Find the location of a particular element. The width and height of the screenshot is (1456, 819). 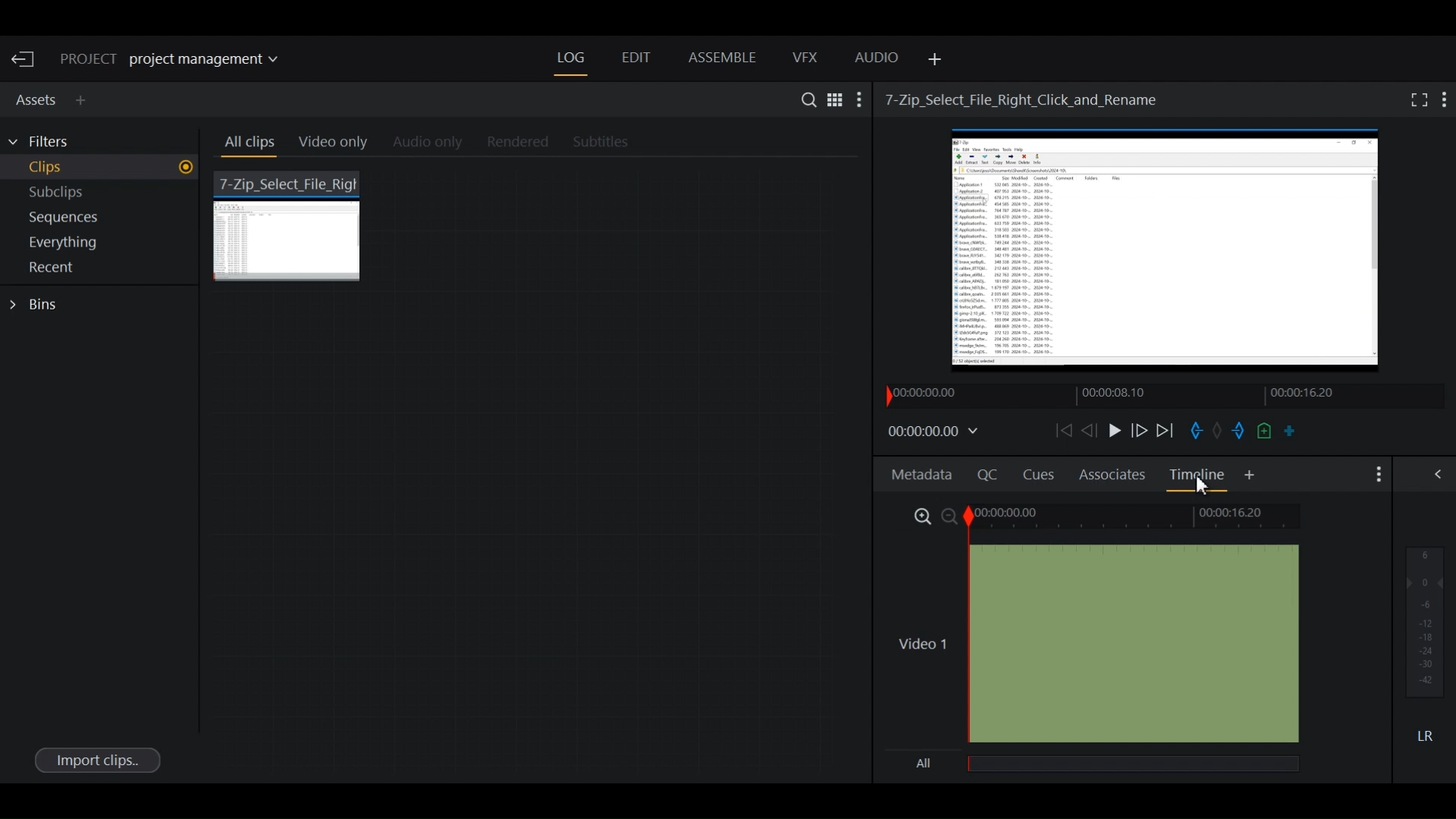

Nudge one frame backward is located at coordinates (1088, 431).